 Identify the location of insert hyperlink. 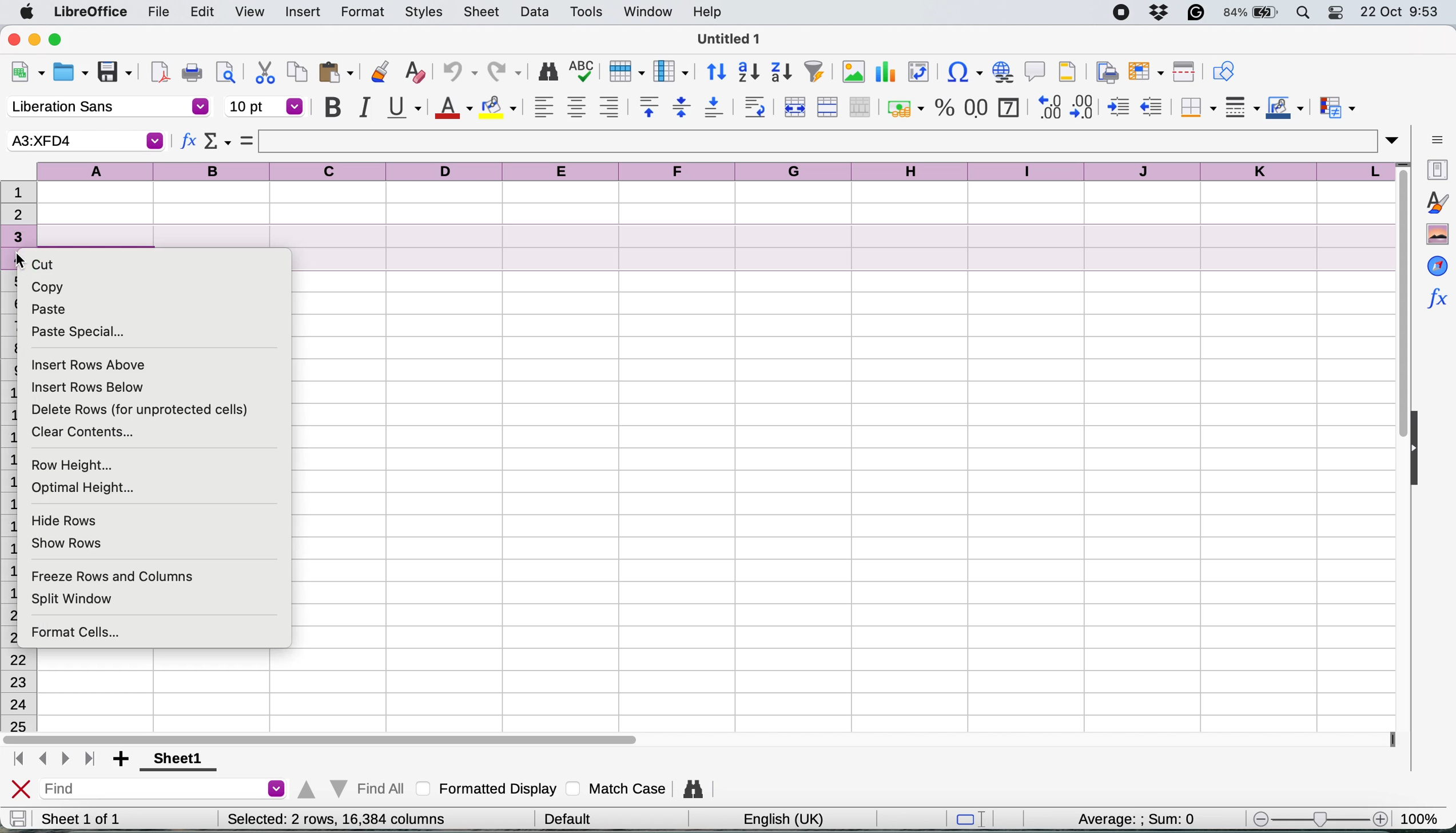
(1001, 71).